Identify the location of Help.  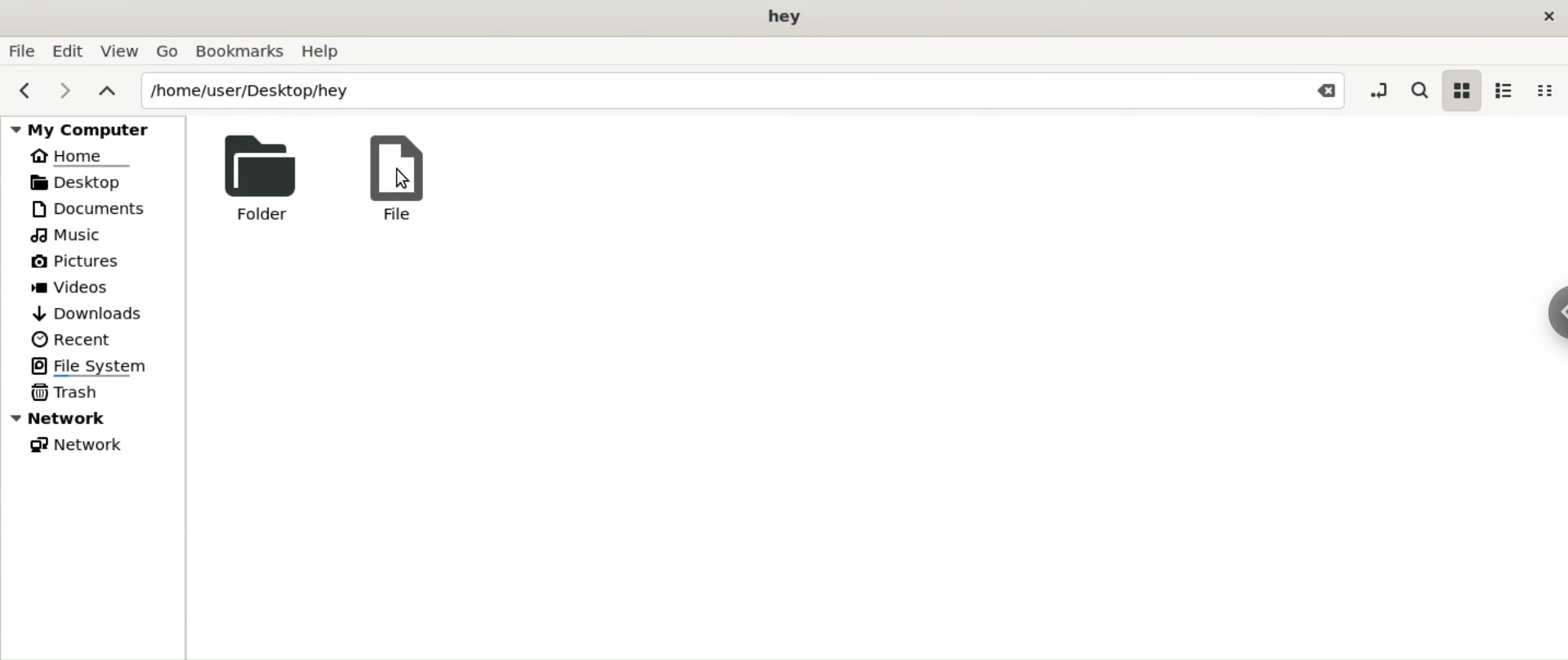
(326, 51).